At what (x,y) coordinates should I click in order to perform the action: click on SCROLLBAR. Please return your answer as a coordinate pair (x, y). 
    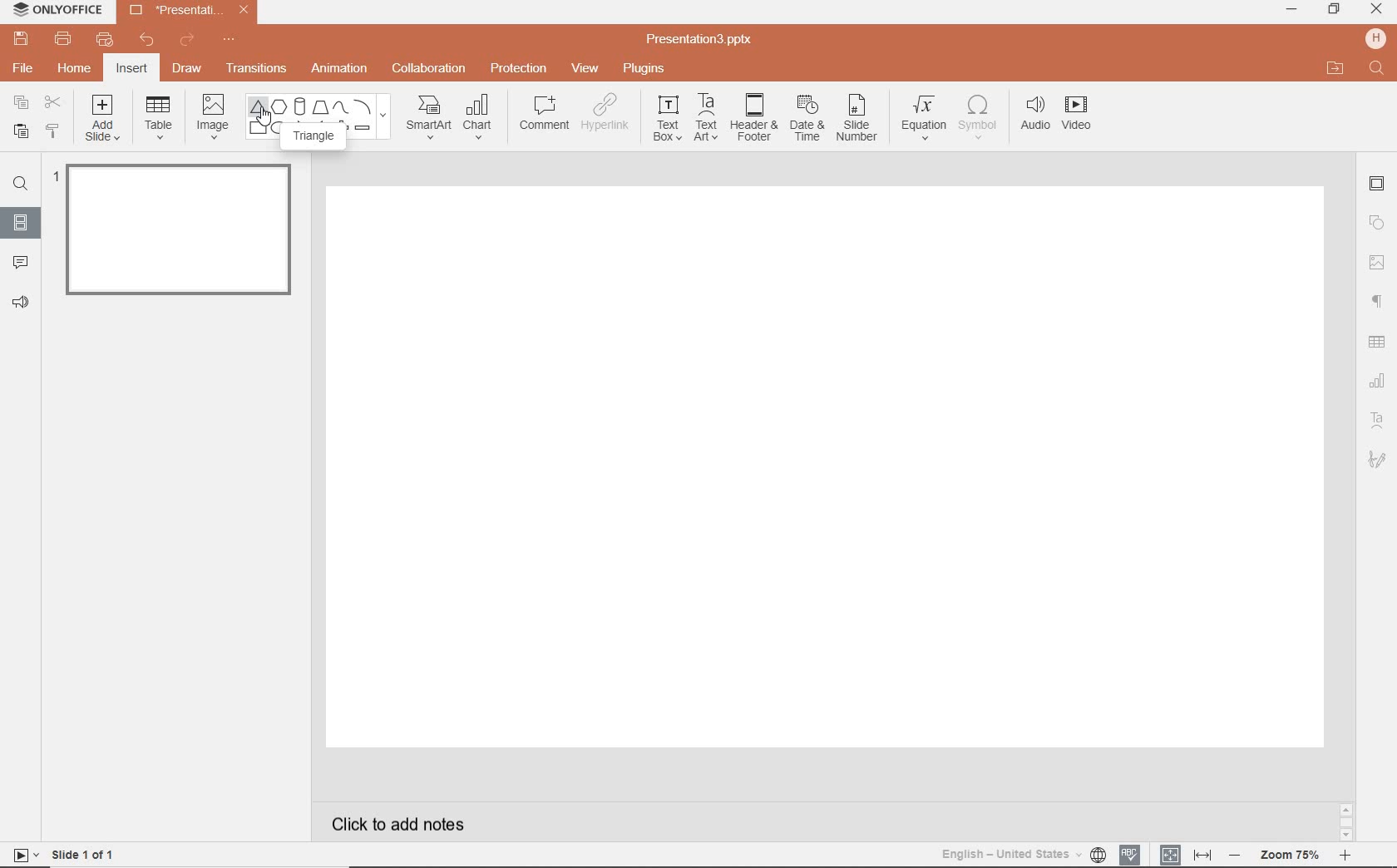
    Looking at the image, I should click on (1346, 825).